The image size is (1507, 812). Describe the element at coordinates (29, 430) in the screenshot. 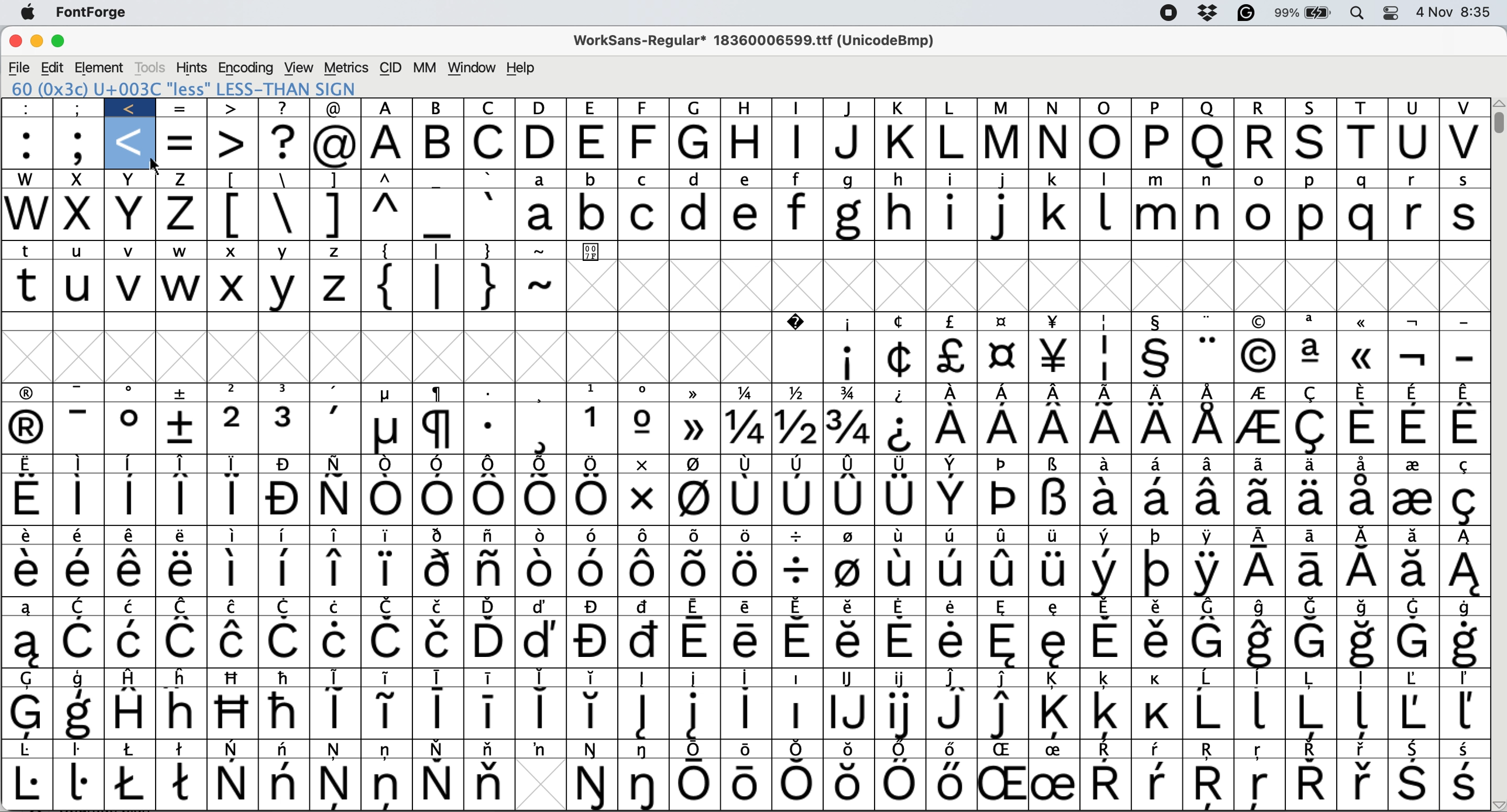

I see `Symbol` at that location.